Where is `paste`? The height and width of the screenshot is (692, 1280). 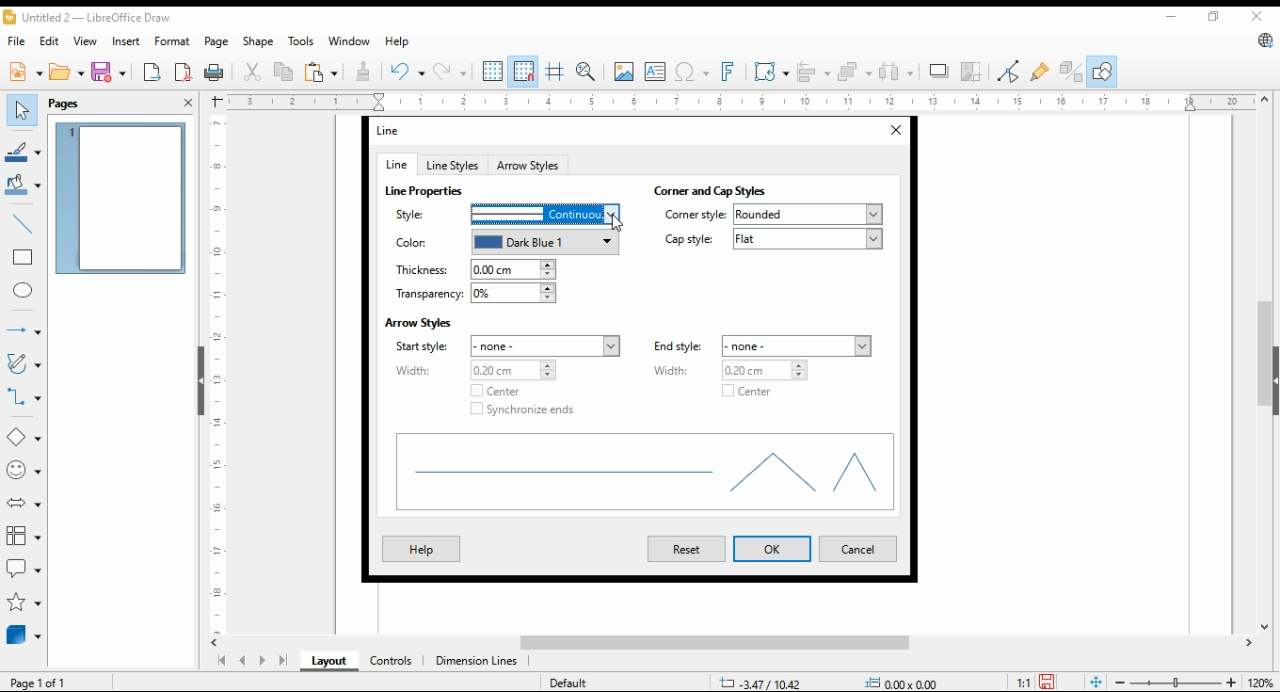
paste is located at coordinates (321, 71).